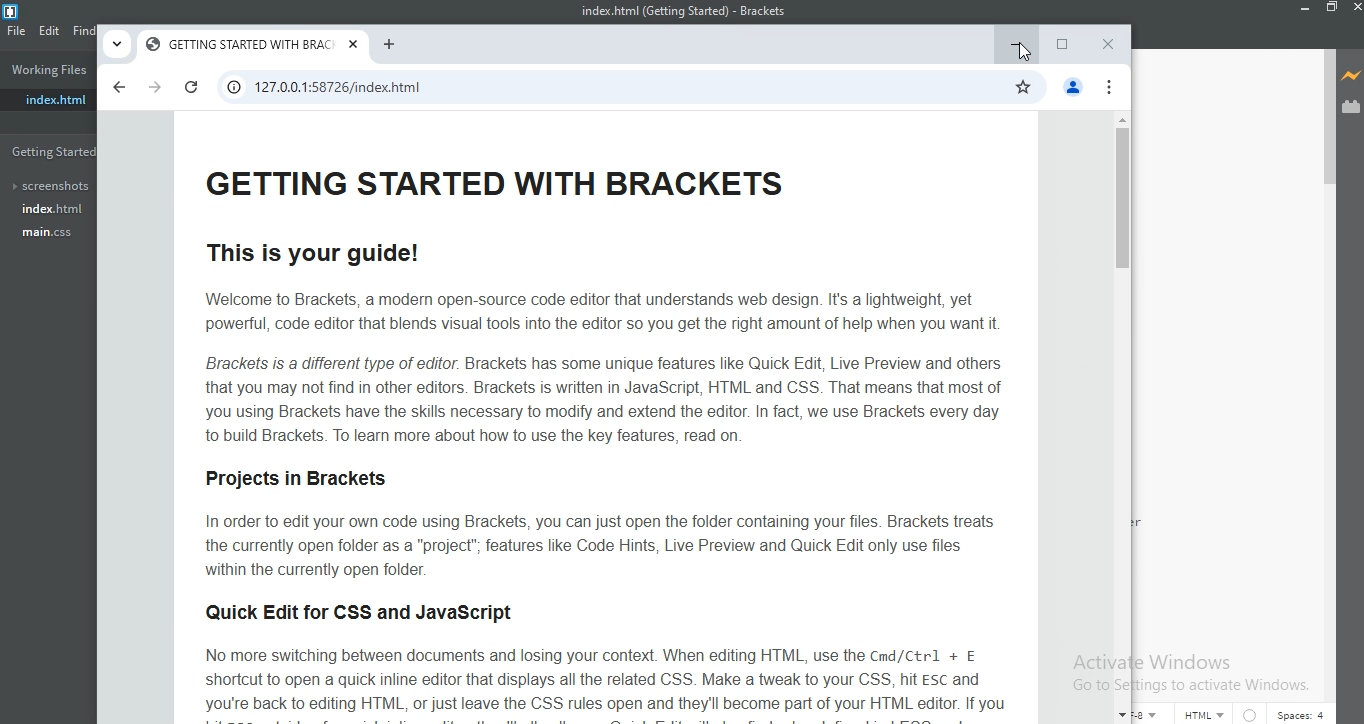 The image size is (1364, 724). Describe the element at coordinates (1352, 107) in the screenshot. I see `extension manager` at that location.